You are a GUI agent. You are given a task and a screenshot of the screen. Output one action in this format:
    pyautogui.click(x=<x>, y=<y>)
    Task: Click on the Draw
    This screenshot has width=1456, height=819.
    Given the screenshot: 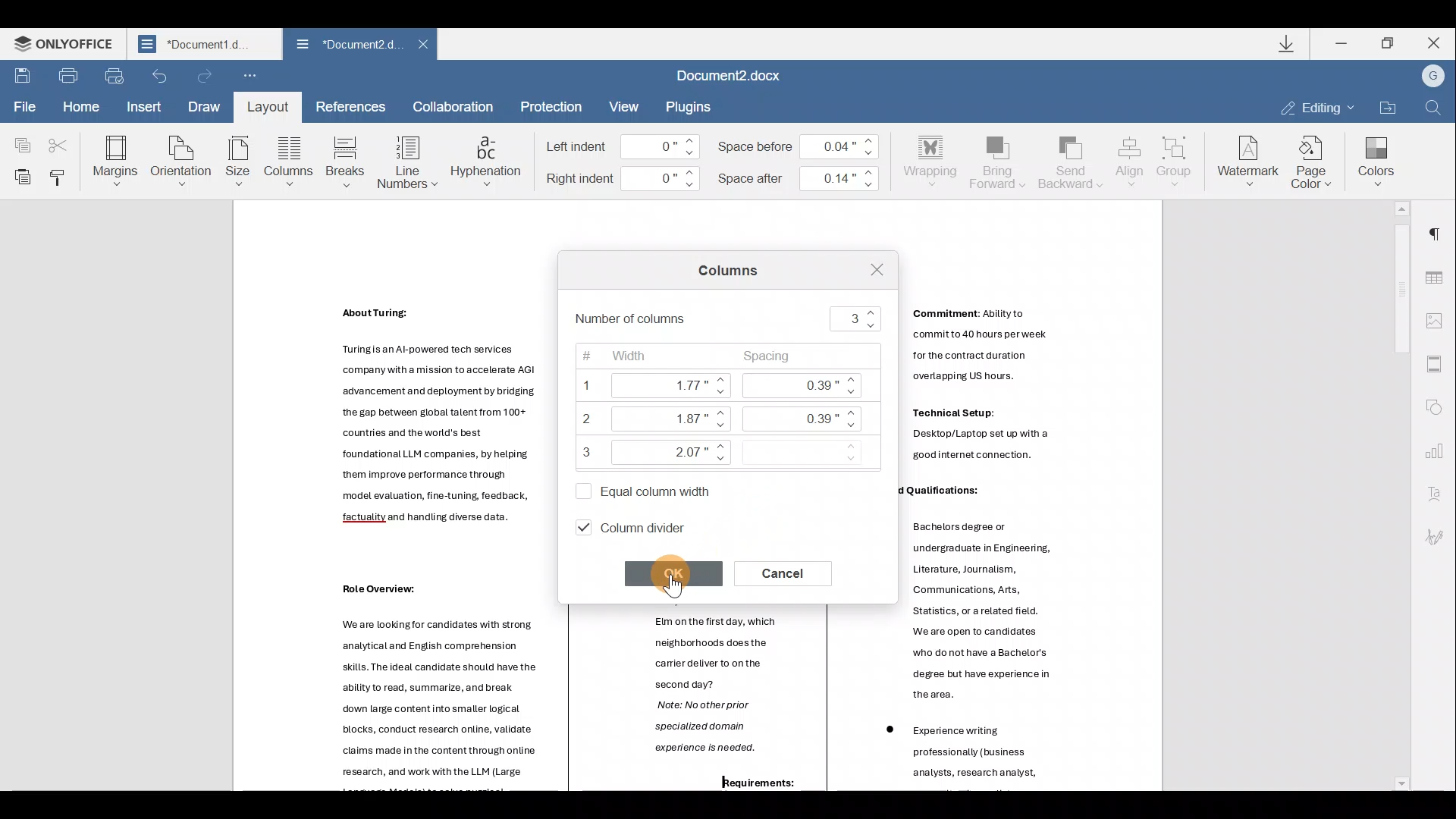 What is the action you would take?
    pyautogui.click(x=205, y=104)
    